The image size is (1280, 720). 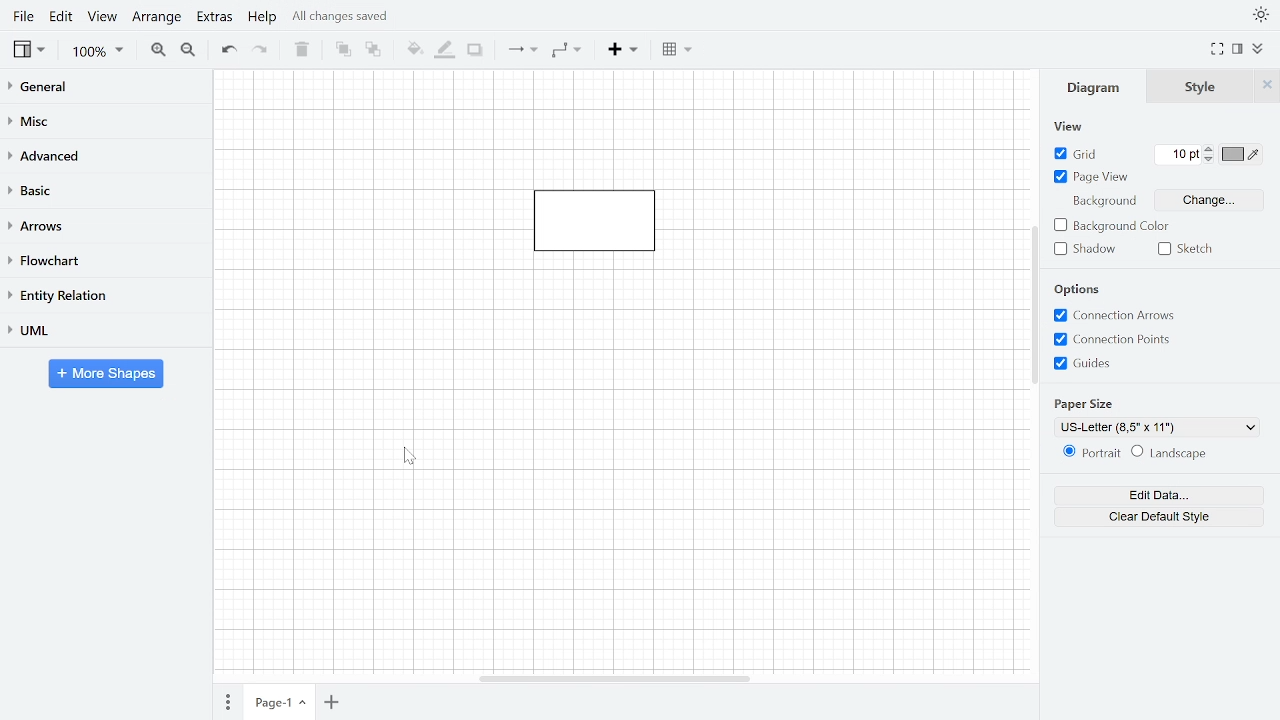 I want to click on Shadow, so click(x=476, y=51).